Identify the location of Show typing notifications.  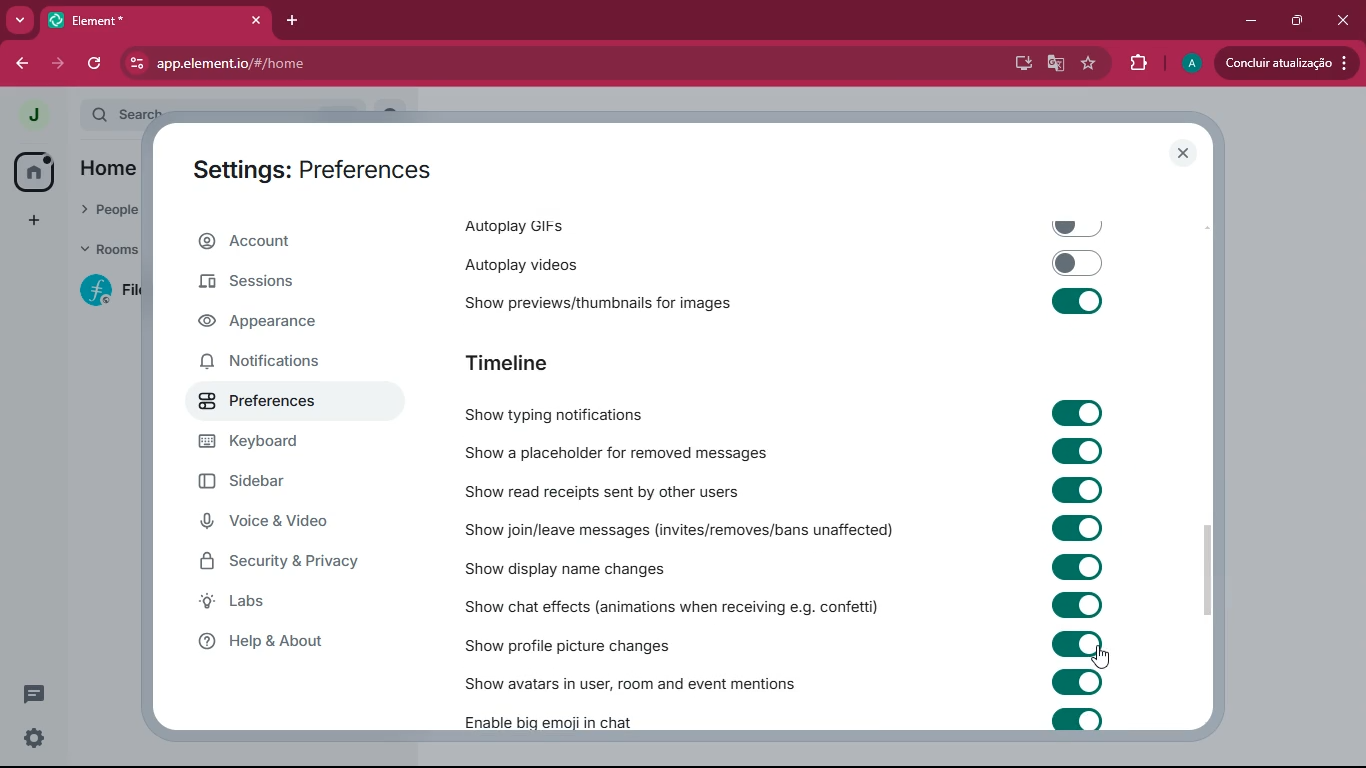
(784, 411).